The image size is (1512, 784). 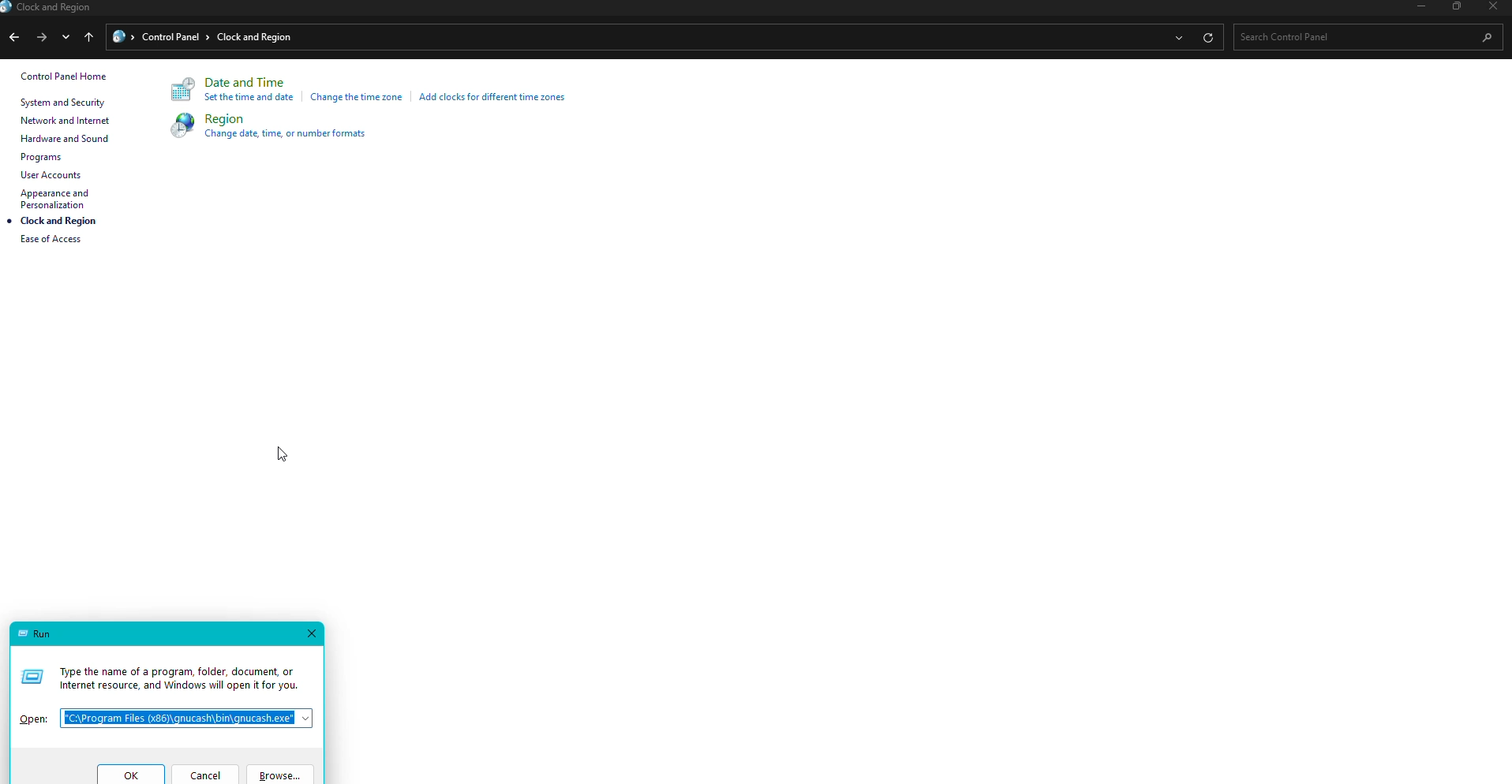 What do you see at coordinates (51, 175) in the screenshot?
I see `User accounts` at bounding box center [51, 175].